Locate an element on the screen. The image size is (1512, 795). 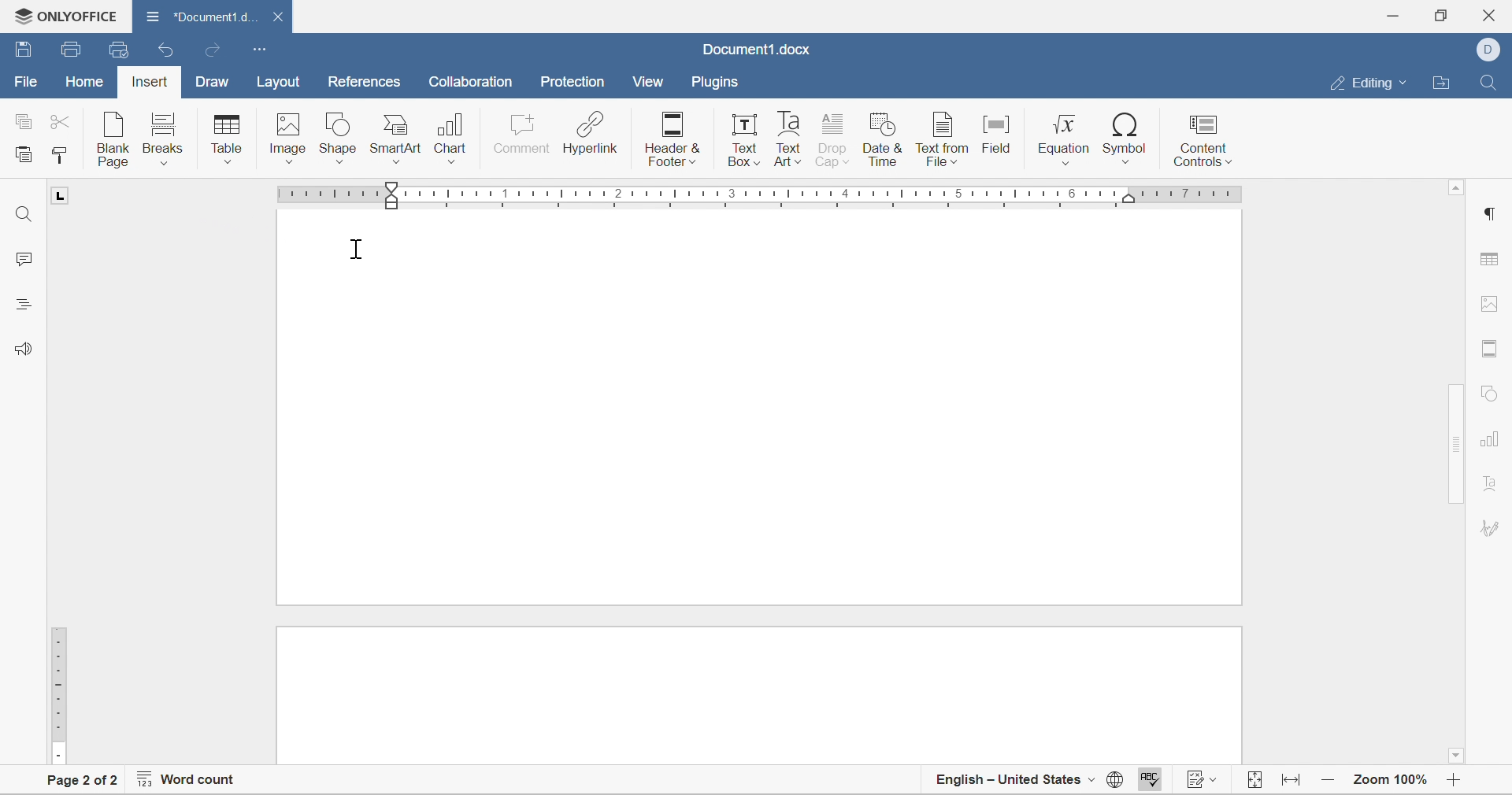
Insert page break is located at coordinates (161, 139).